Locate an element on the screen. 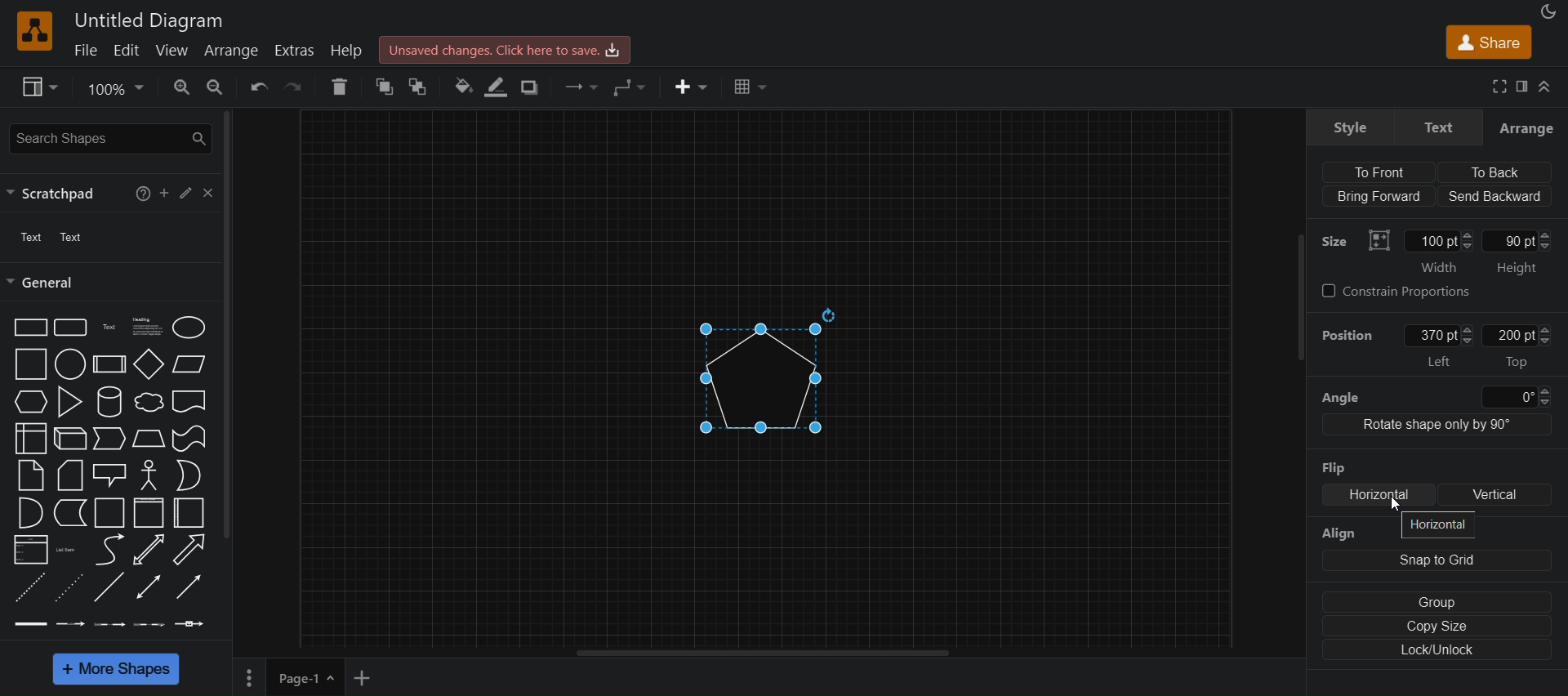 Image resolution: width=1568 pixels, height=696 pixels. Or is located at coordinates (189, 475).